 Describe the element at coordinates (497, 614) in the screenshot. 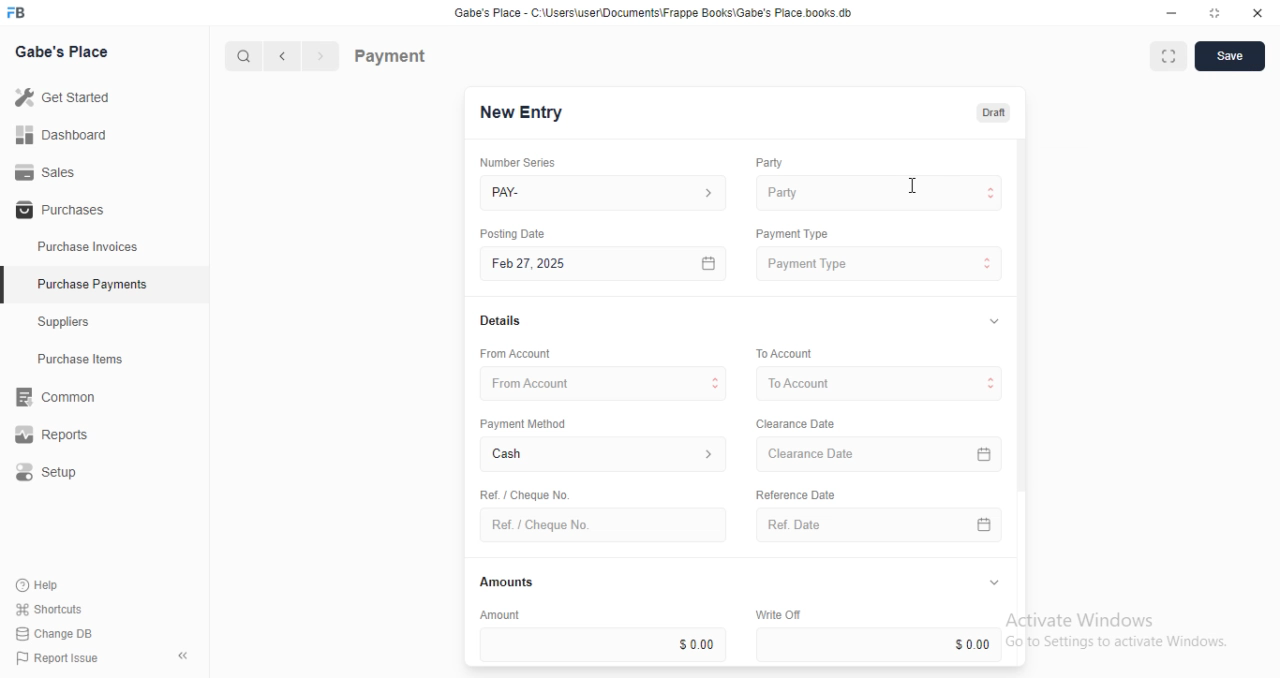

I see `Amount` at that location.